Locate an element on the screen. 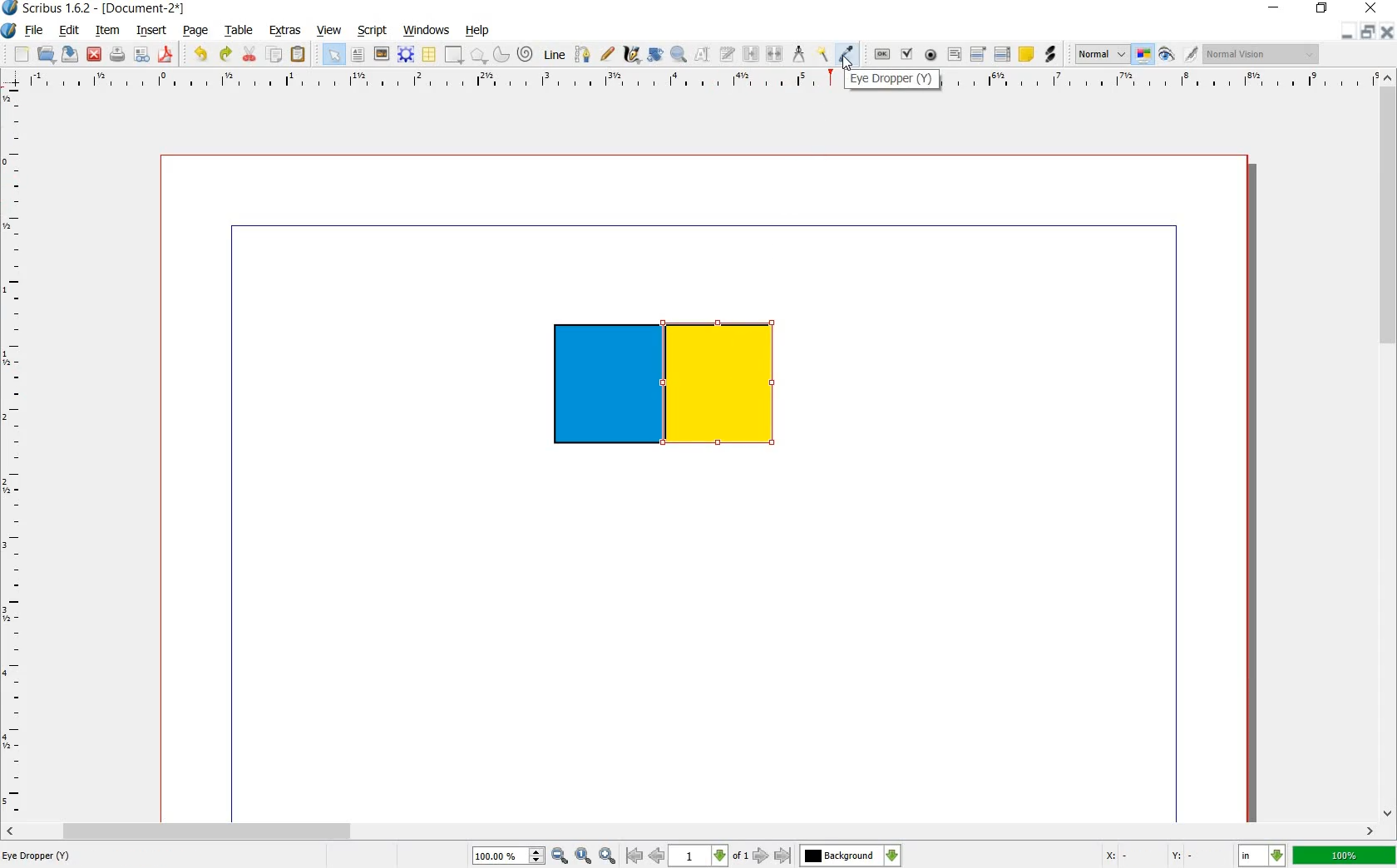  pdf text field is located at coordinates (955, 57).